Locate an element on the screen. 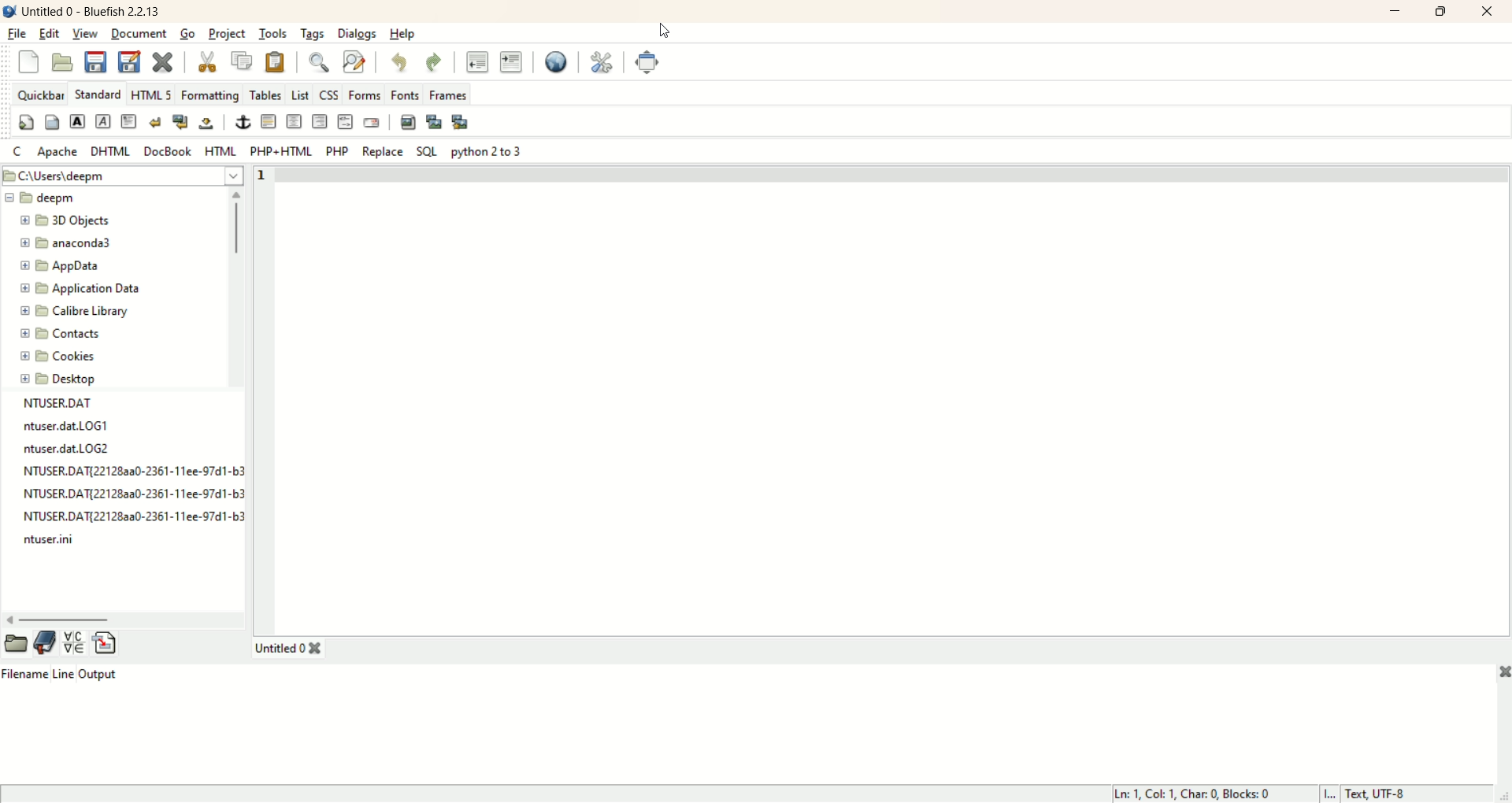  close is located at coordinates (1485, 10).